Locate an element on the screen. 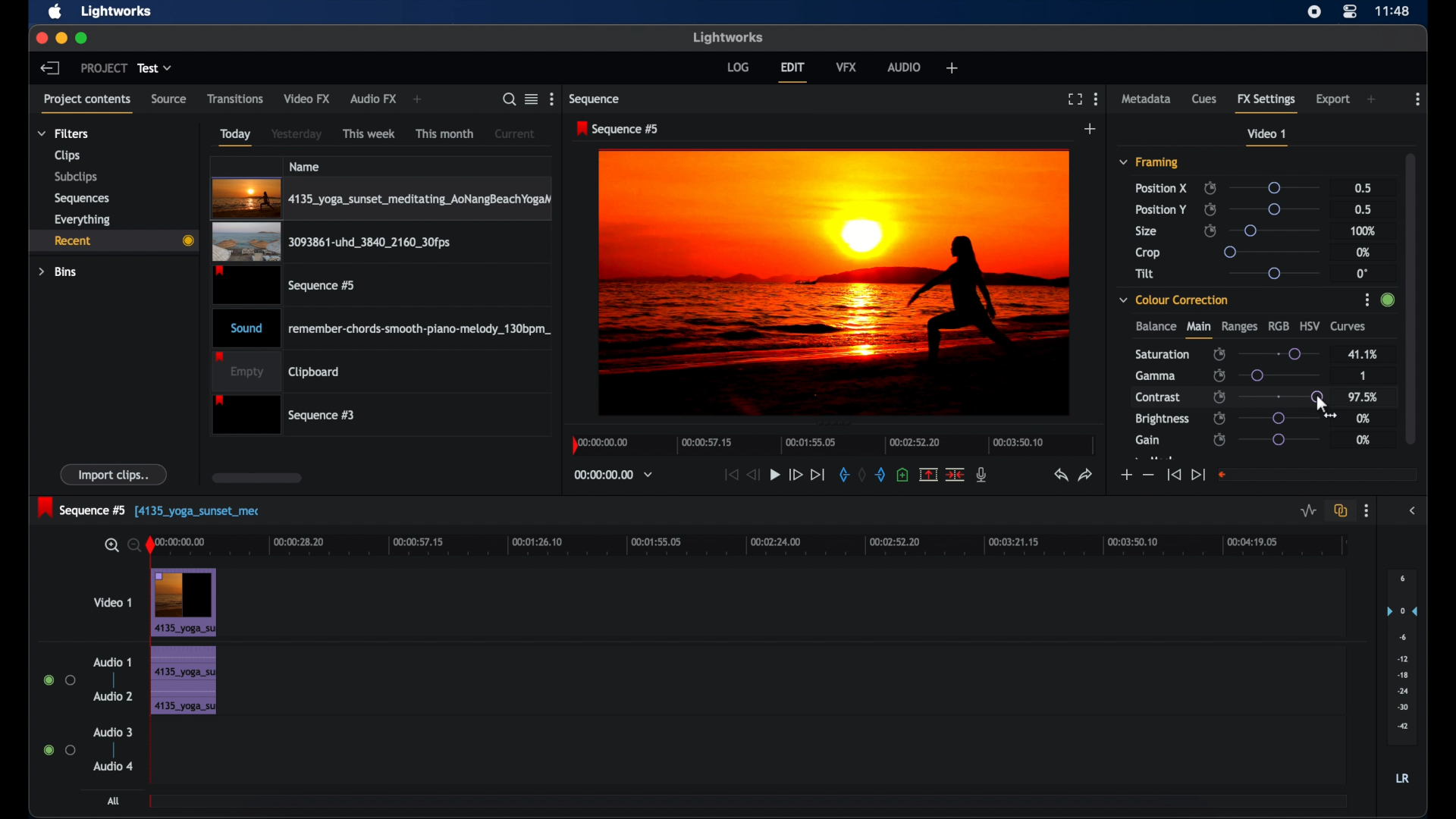 The height and width of the screenshot is (819, 1456). enable/disable keyframes is located at coordinates (1219, 440).